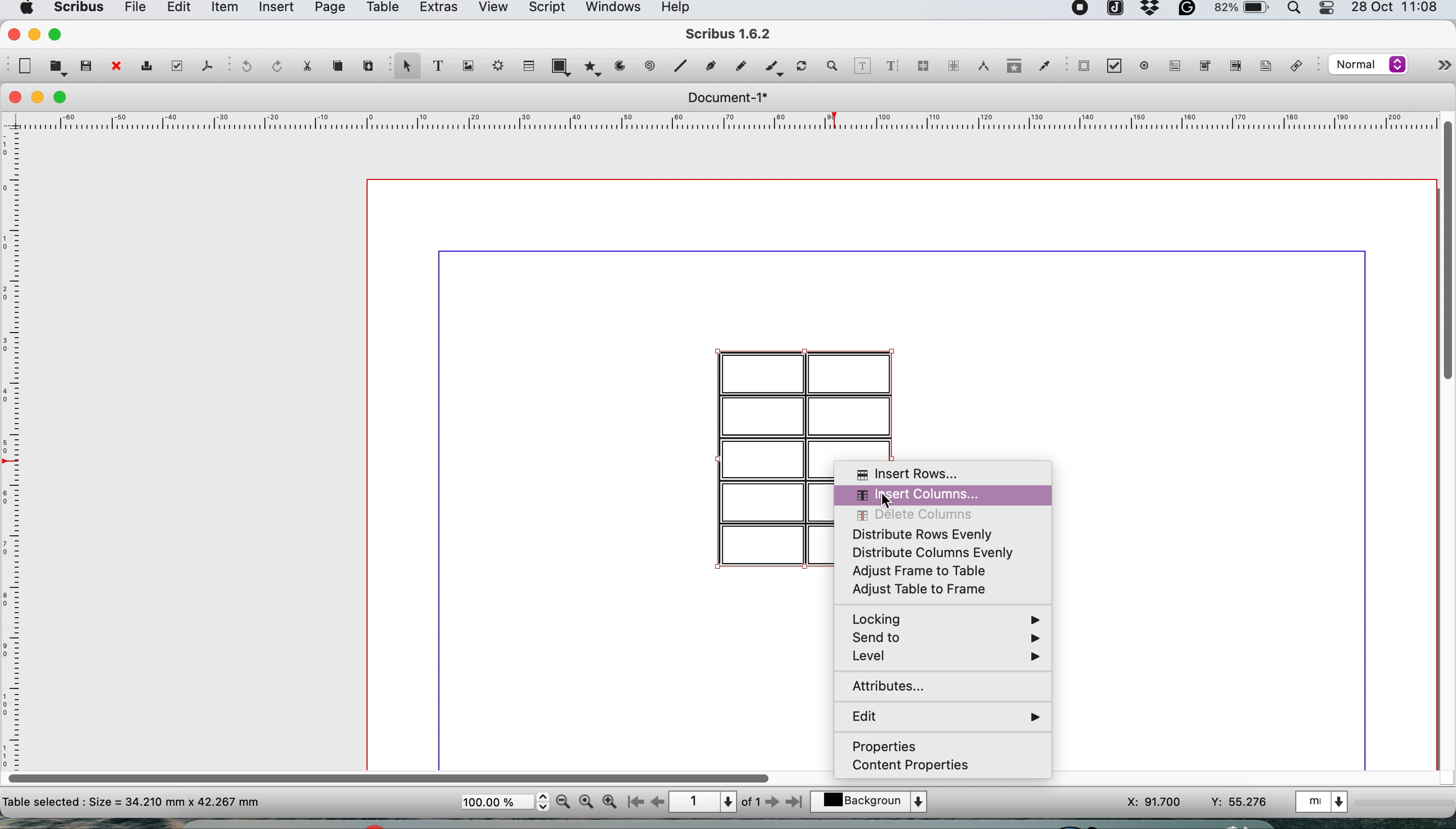  Describe the element at coordinates (883, 502) in the screenshot. I see `cursor` at that location.